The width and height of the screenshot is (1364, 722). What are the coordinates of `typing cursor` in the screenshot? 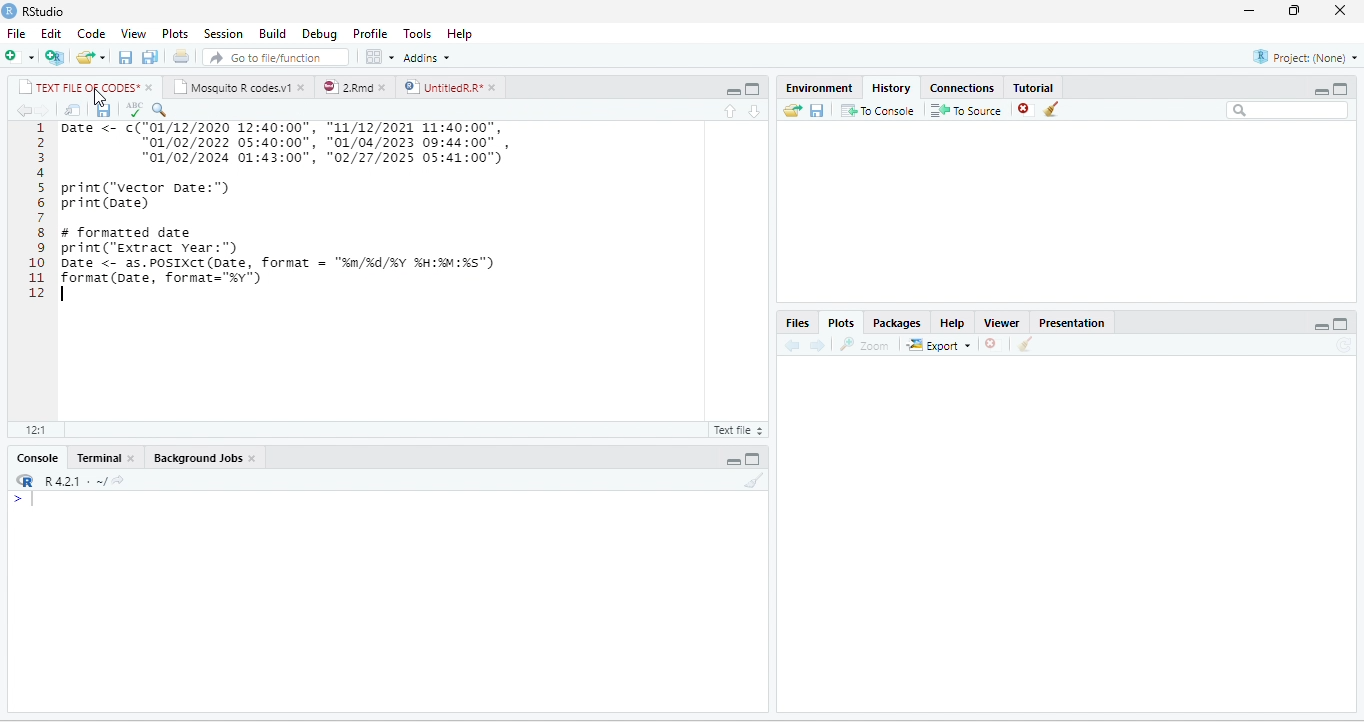 It's located at (66, 295).